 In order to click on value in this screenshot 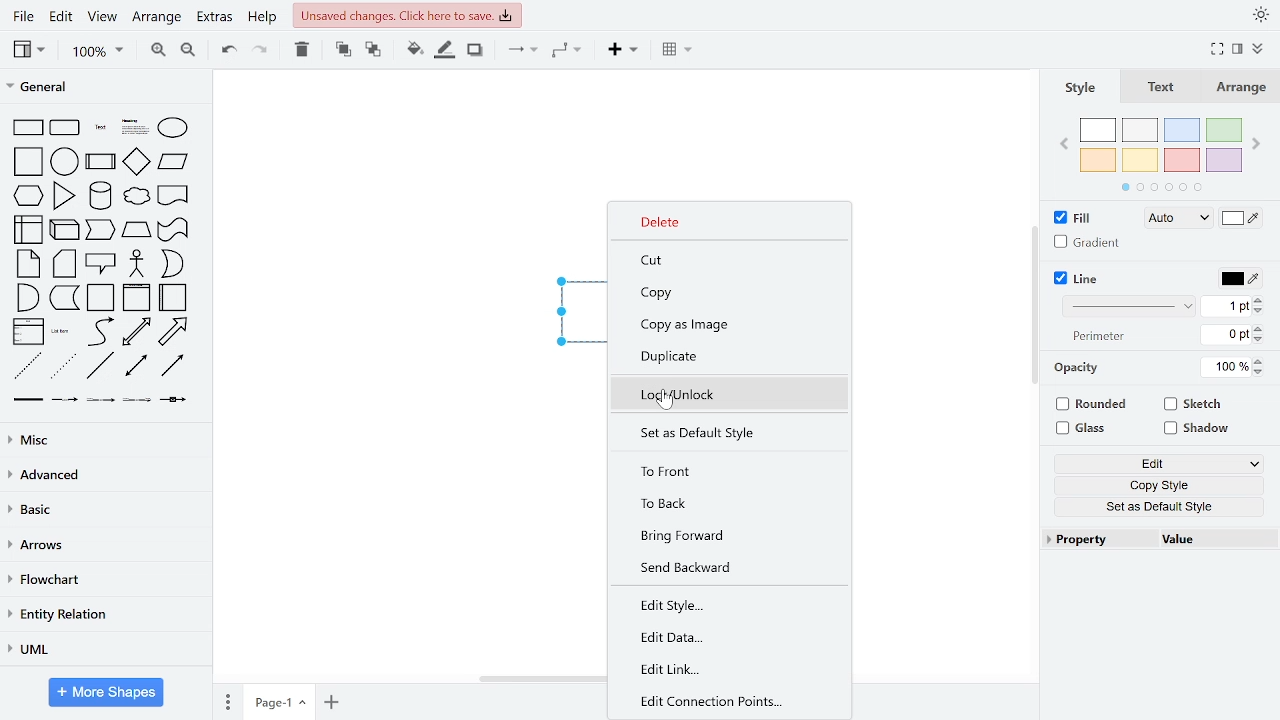, I will do `click(1202, 539)`.